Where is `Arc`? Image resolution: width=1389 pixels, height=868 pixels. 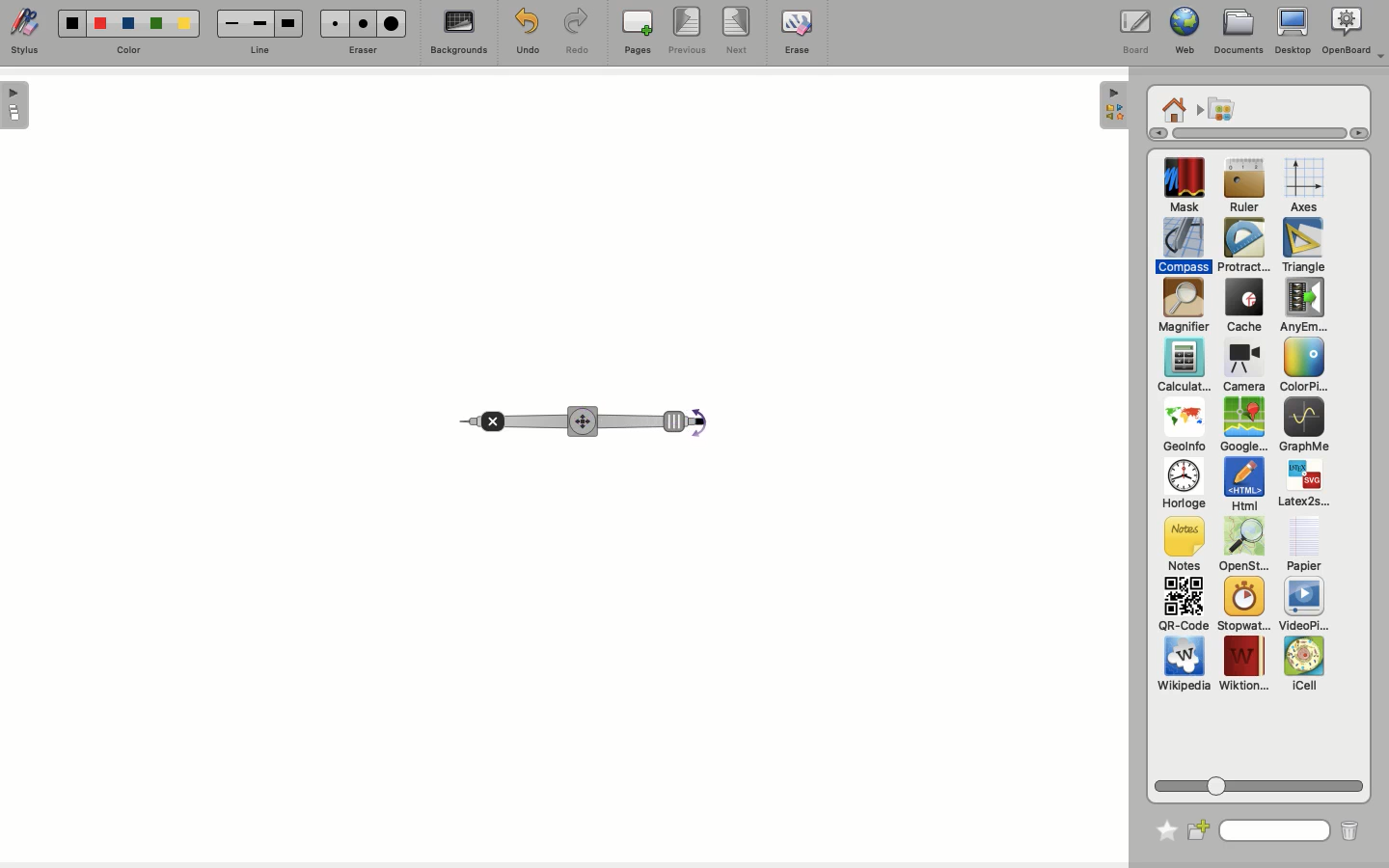 Arc is located at coordinates (693, 428).